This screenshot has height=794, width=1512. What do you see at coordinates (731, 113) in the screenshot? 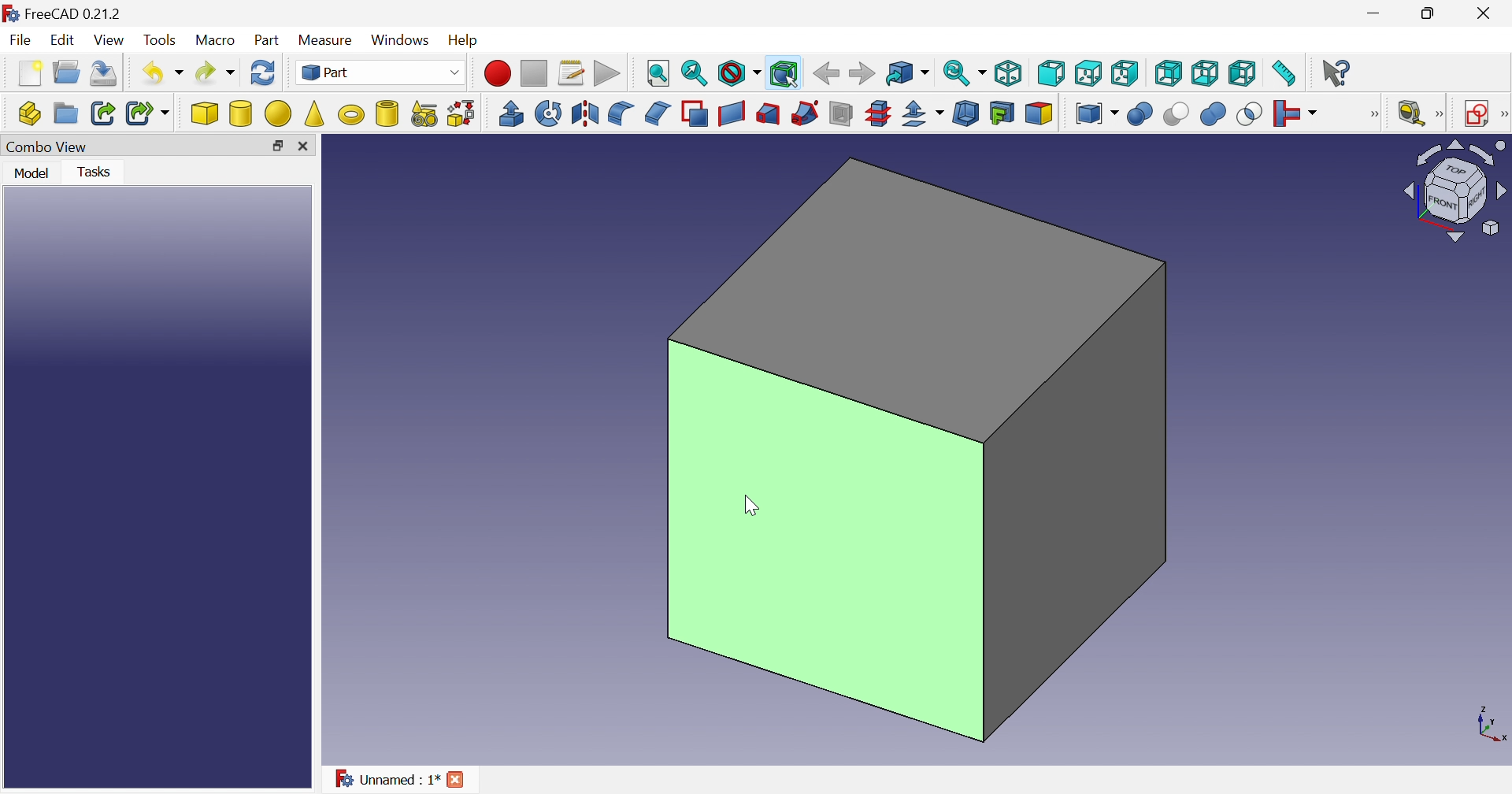
I see `Create rules surface` at bounding box center [731, 113].